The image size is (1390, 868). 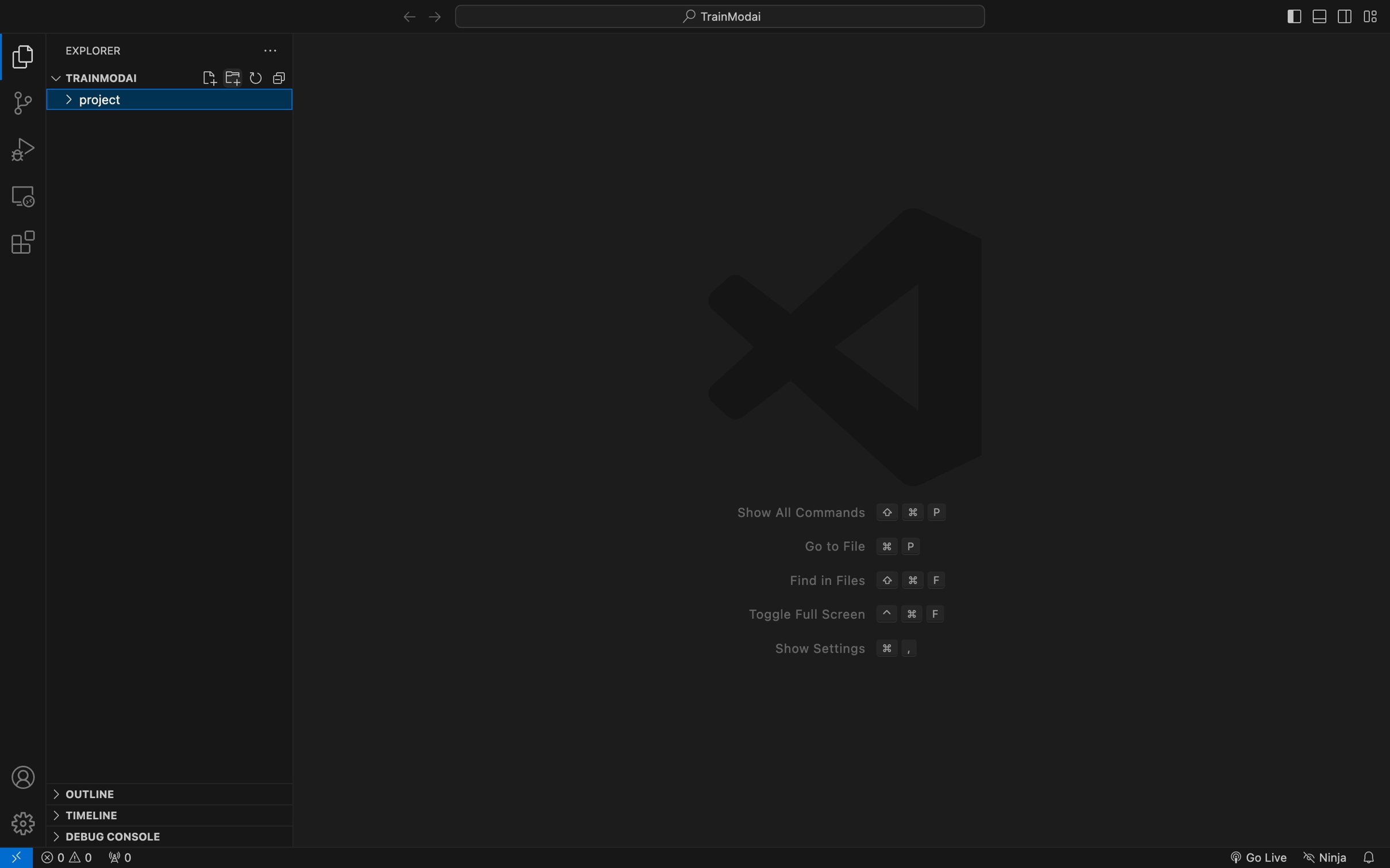 I want to click on Find in files, so click(x=861, y=581).